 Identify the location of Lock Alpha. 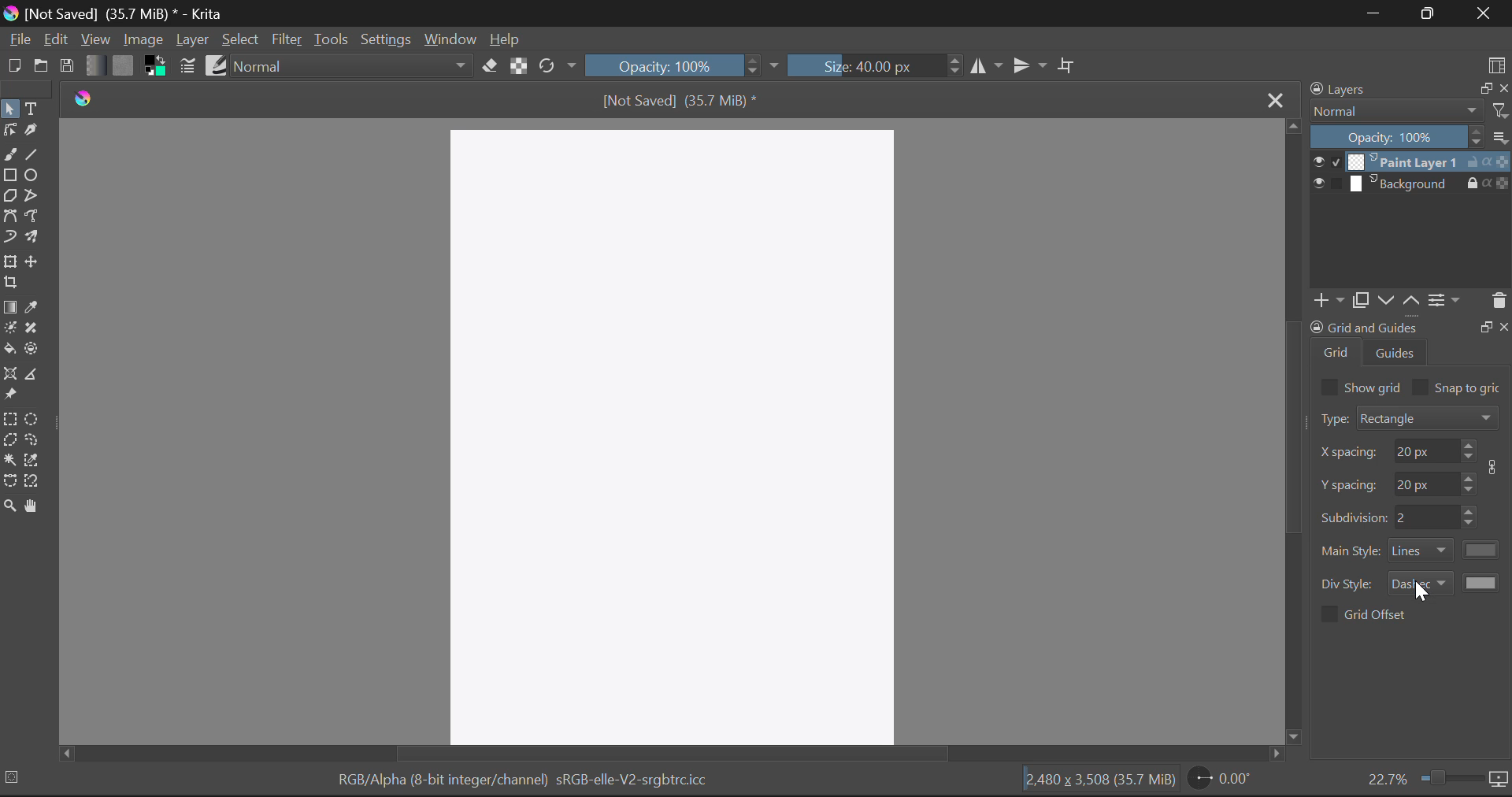
(519, 65).